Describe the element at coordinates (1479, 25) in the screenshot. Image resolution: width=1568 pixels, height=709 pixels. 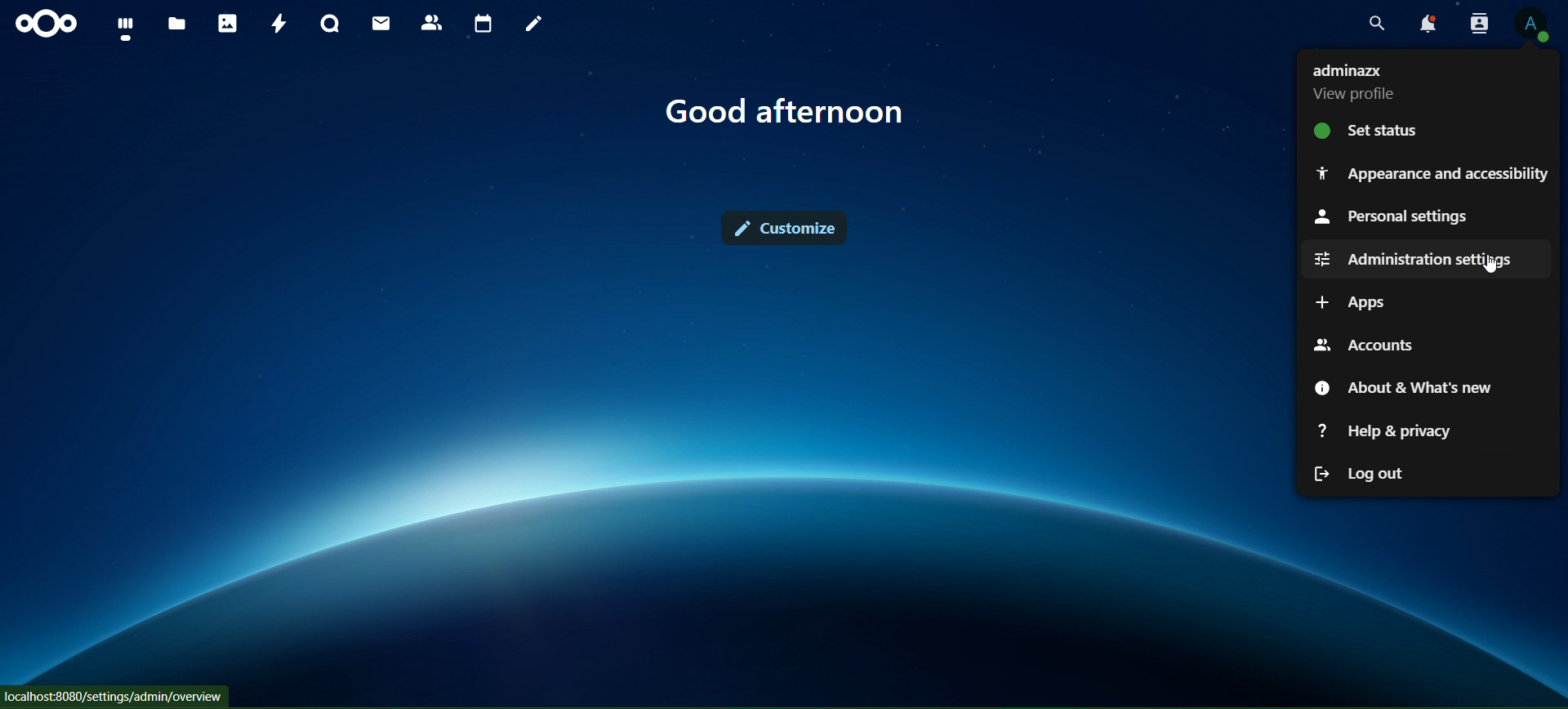
I see `search contacts` at that location.